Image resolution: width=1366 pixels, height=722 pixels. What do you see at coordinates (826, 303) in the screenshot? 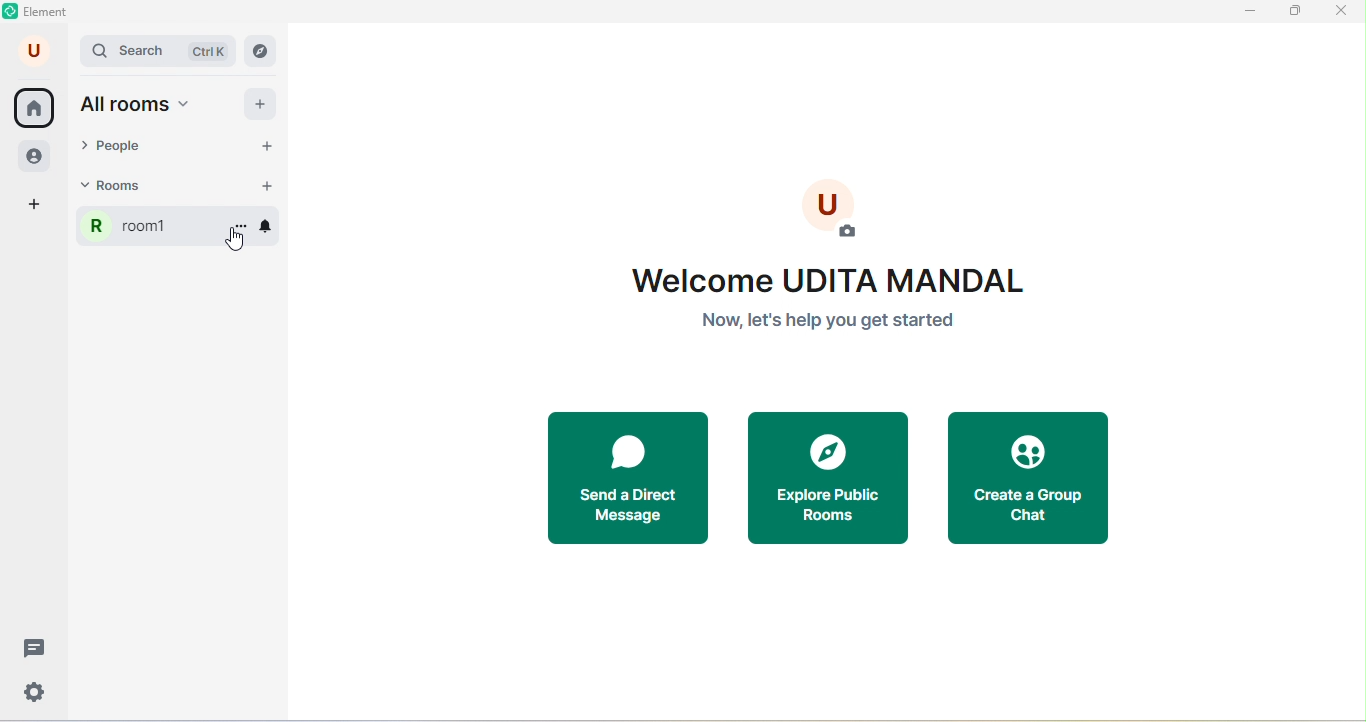
I see `welcome text` at bounding box center [826, 303].